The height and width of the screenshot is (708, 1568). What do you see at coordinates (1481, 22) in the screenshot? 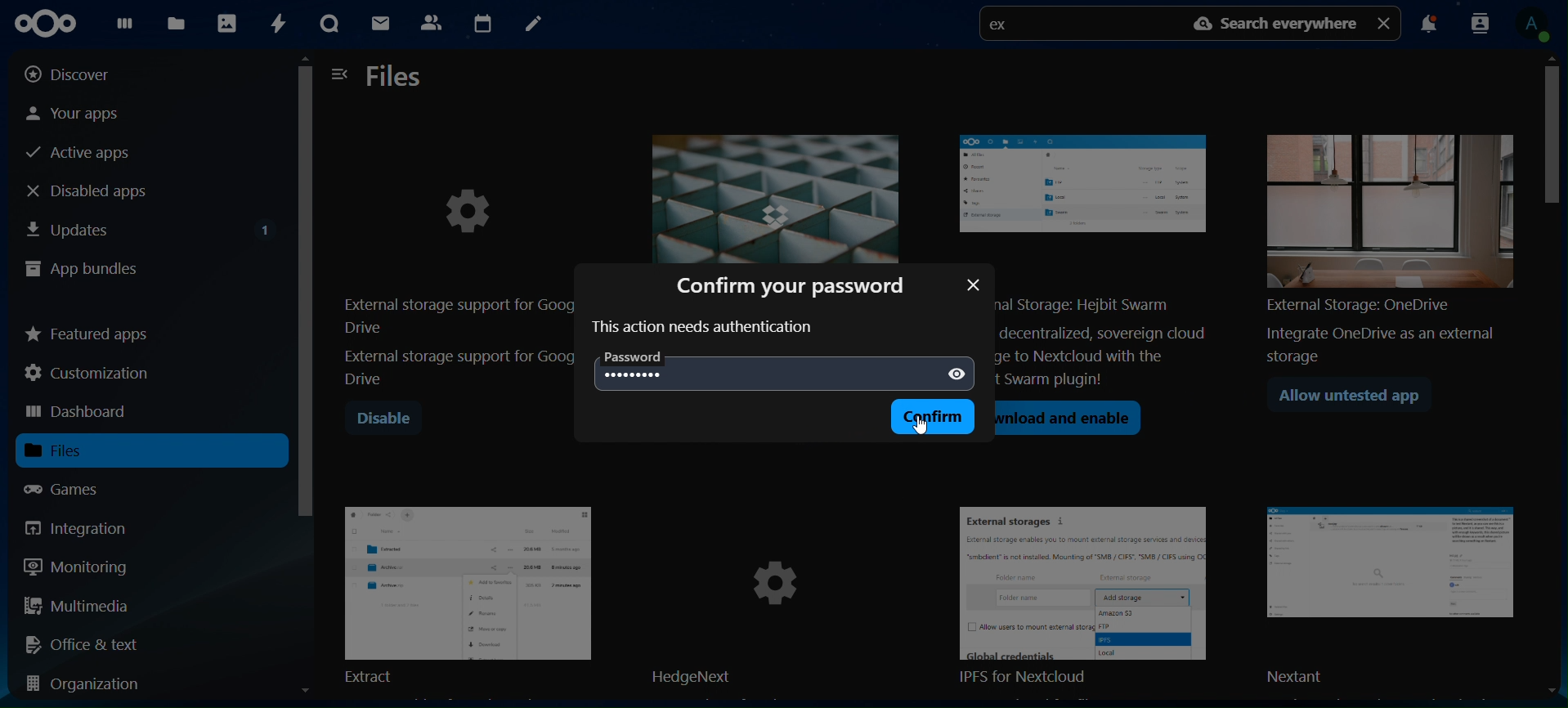
I see `search profile` at bounding box center [1481, 22].